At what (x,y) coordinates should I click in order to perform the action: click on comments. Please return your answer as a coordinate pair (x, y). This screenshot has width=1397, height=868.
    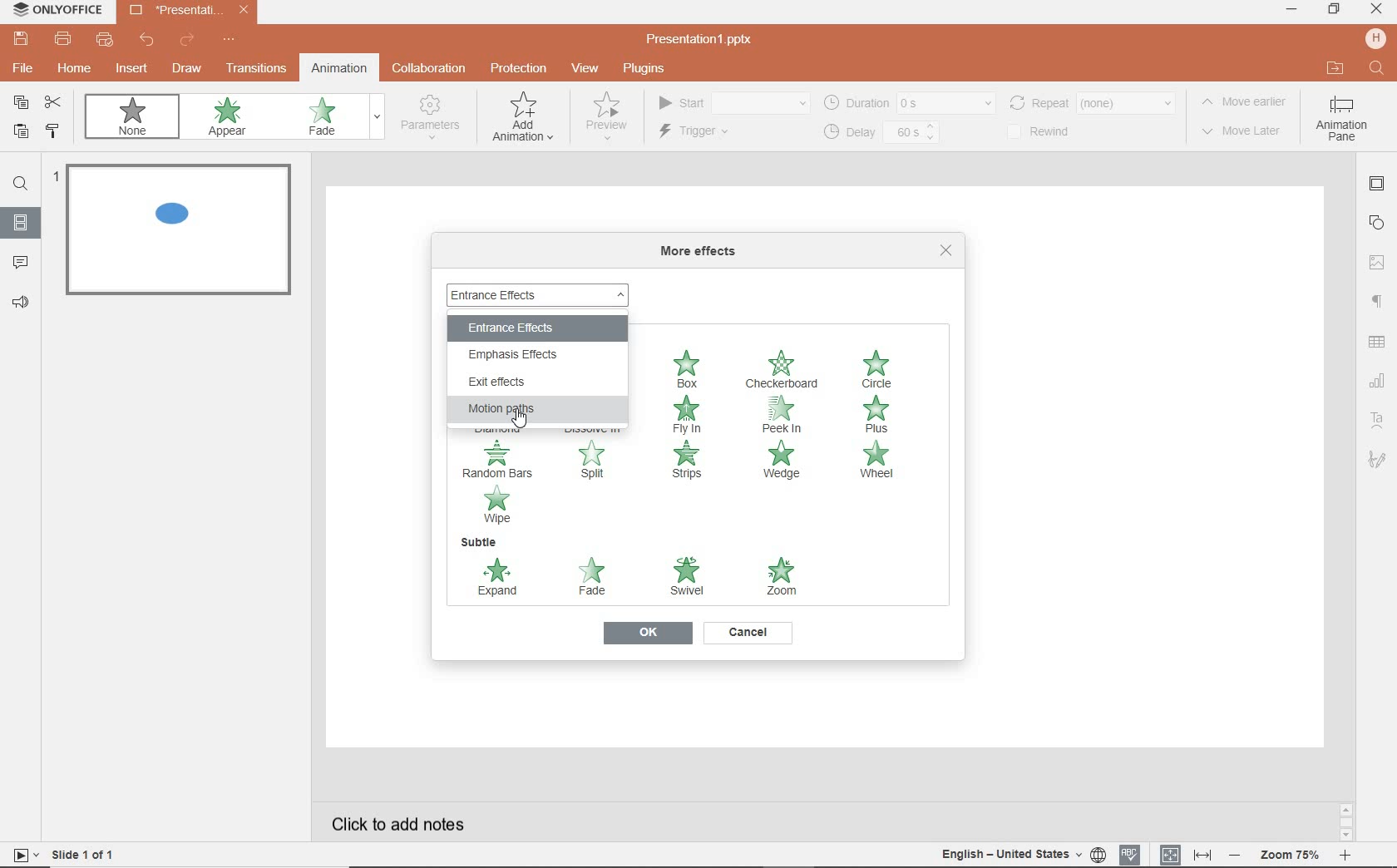
    Looking at the image, I should click on (22, 263).